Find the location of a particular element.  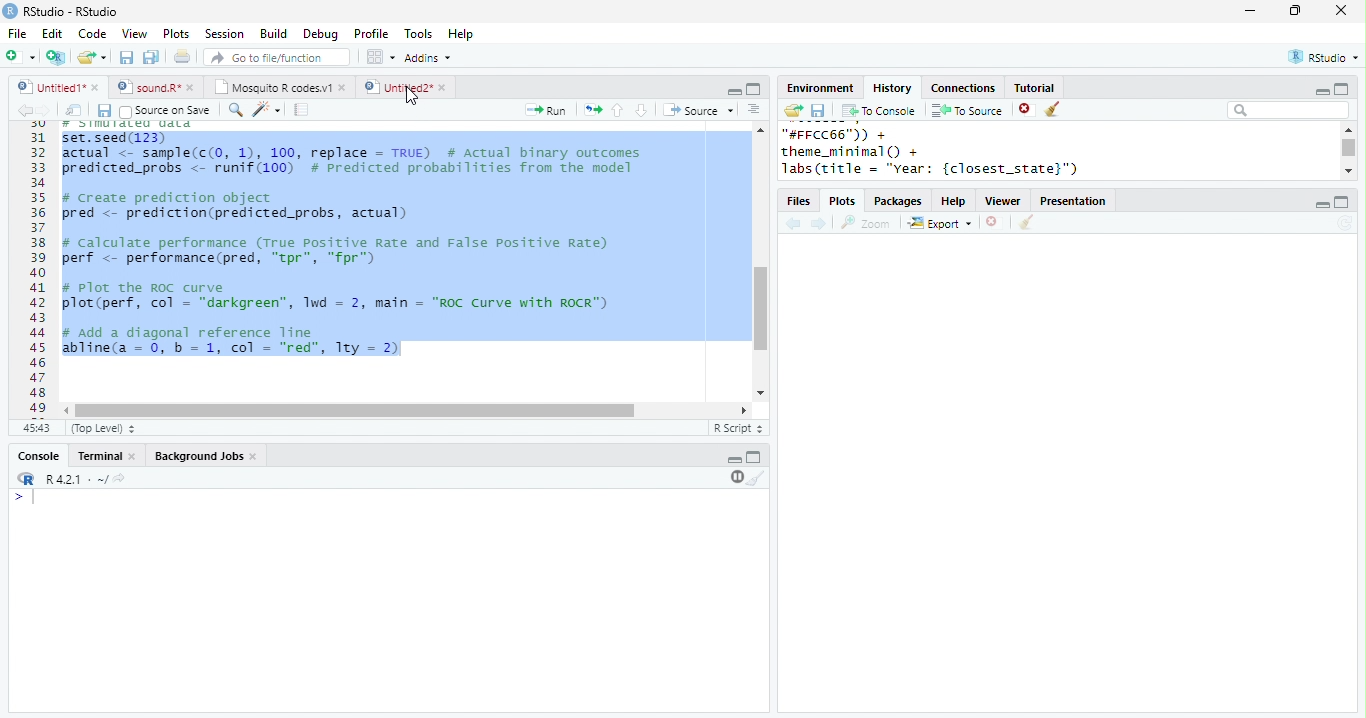

# Create prediction object
pred <- prediction(predicted_probs, actual) is located at coordinates (234, 207).